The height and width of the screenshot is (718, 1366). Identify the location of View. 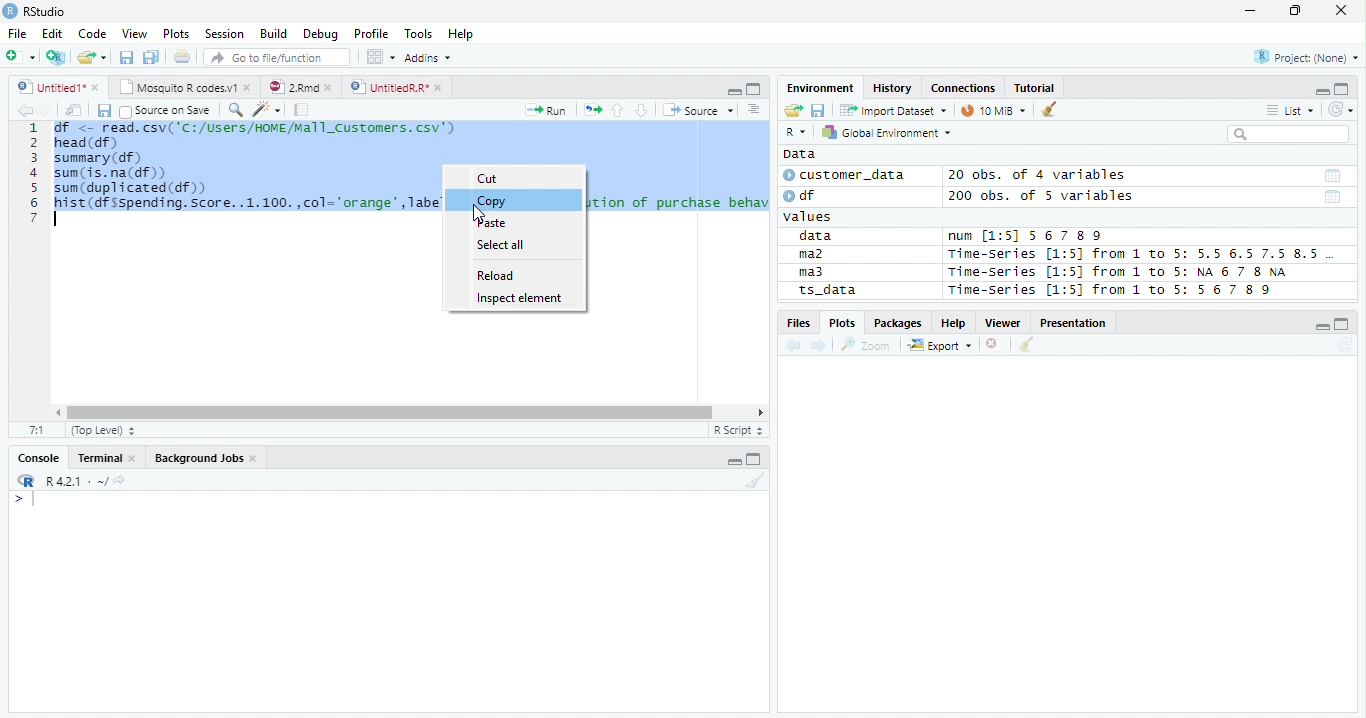
(136, 33).